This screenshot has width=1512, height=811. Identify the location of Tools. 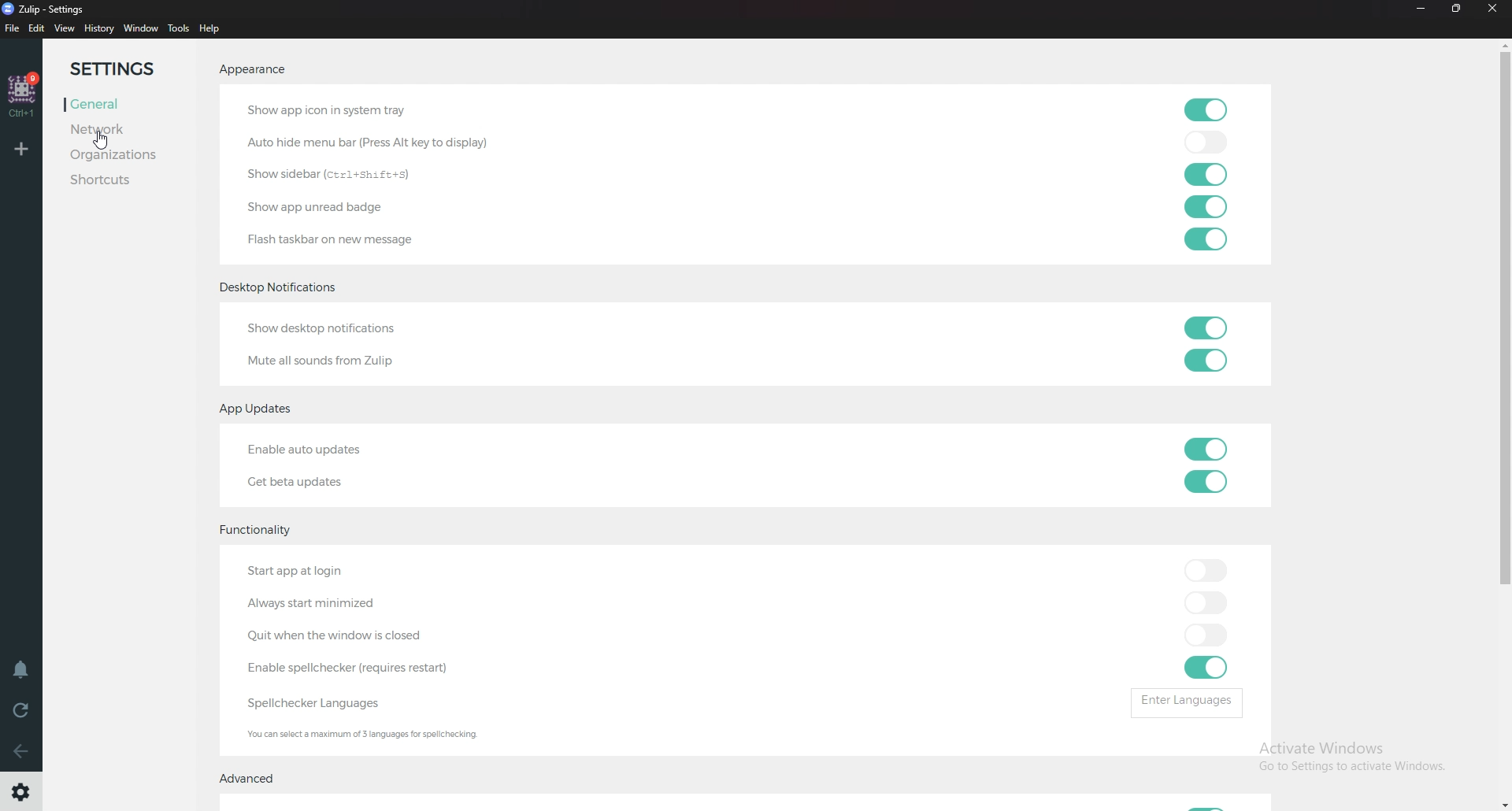
(179, 28).